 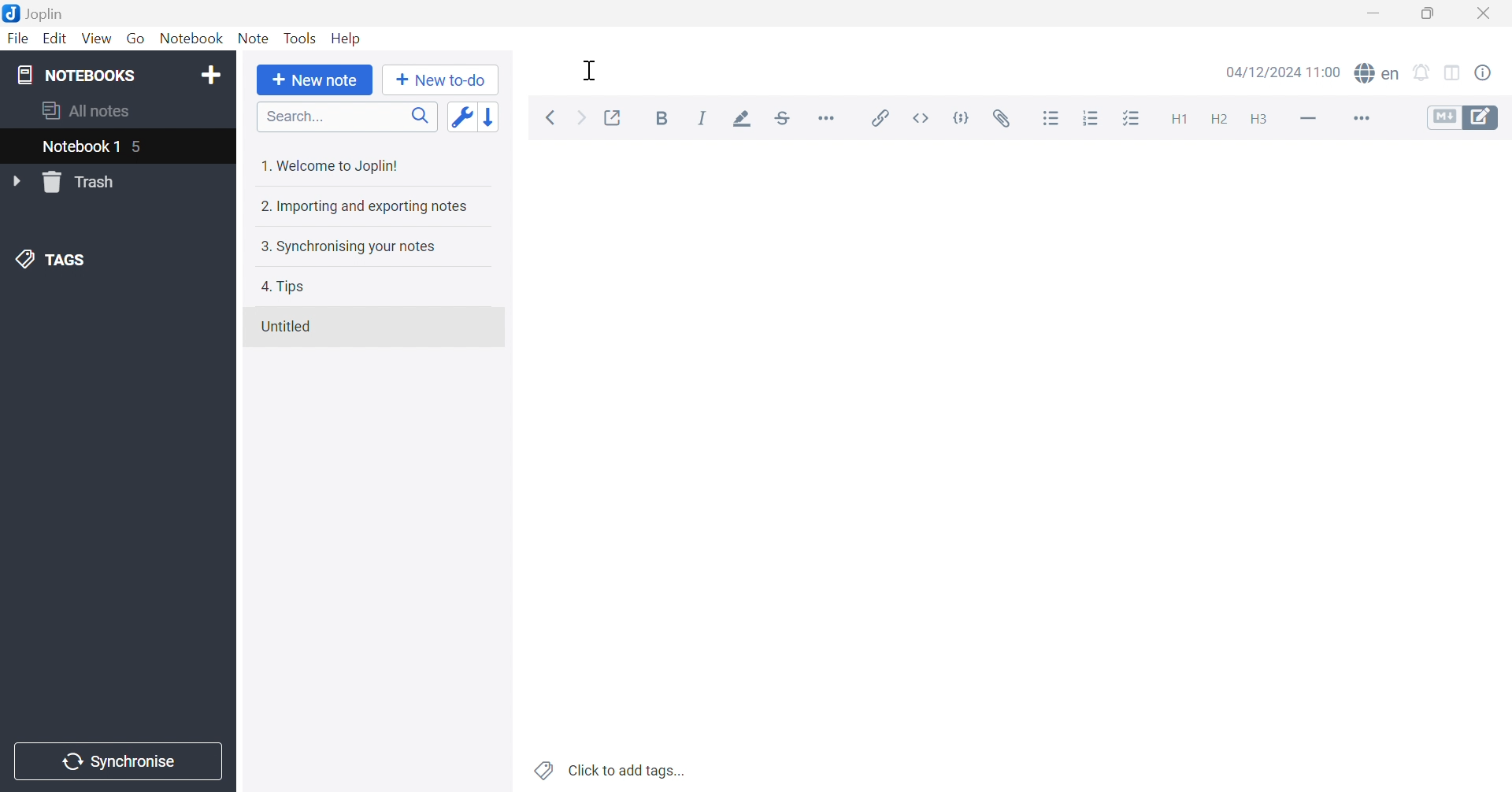 What do you see at coordinates (20, 182) in the screenshot?
I see `Drop Down` at bounding box center [20, 182].